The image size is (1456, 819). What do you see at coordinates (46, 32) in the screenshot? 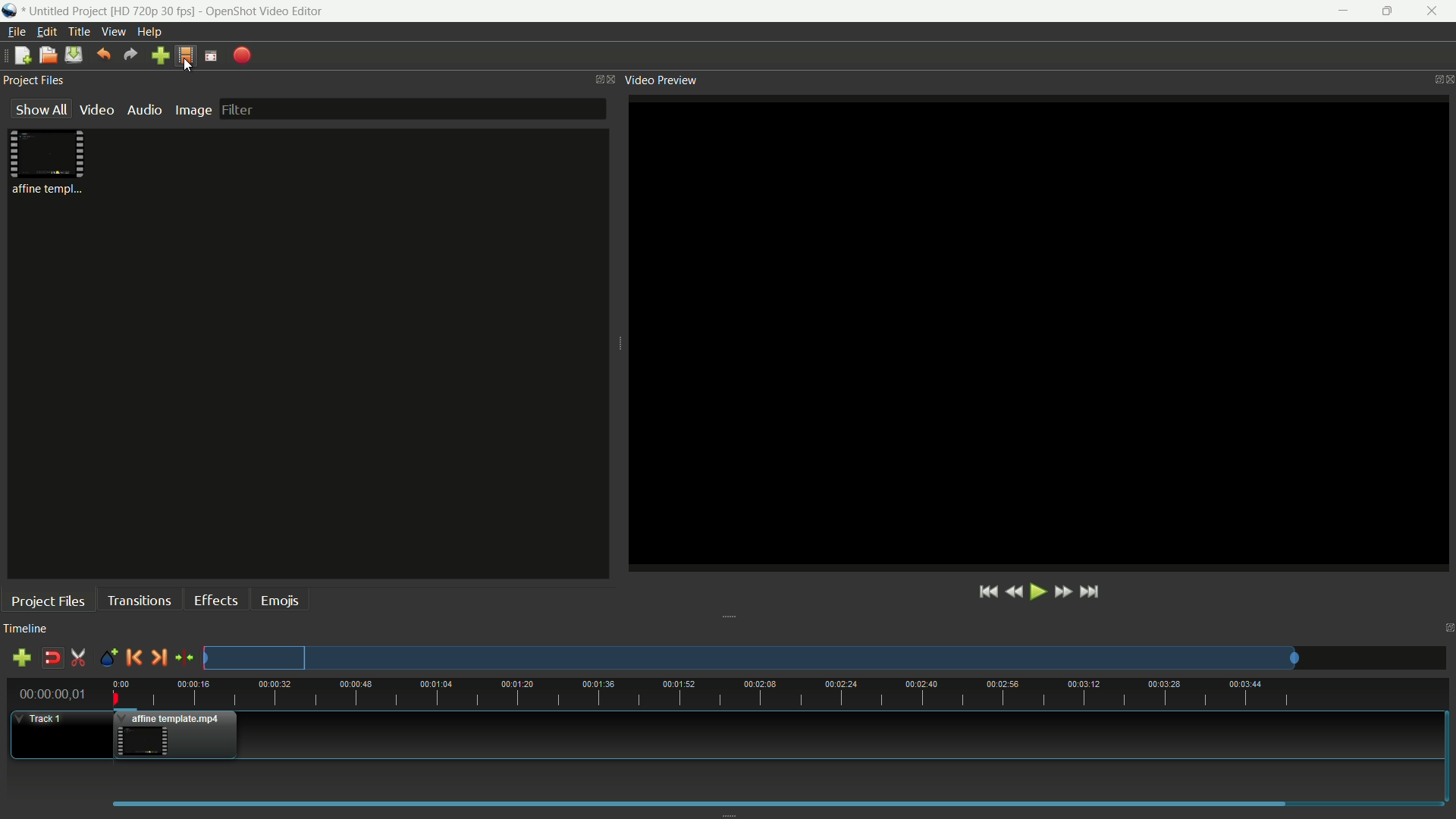
I see `edit menu` at bounding box center [46, 32].